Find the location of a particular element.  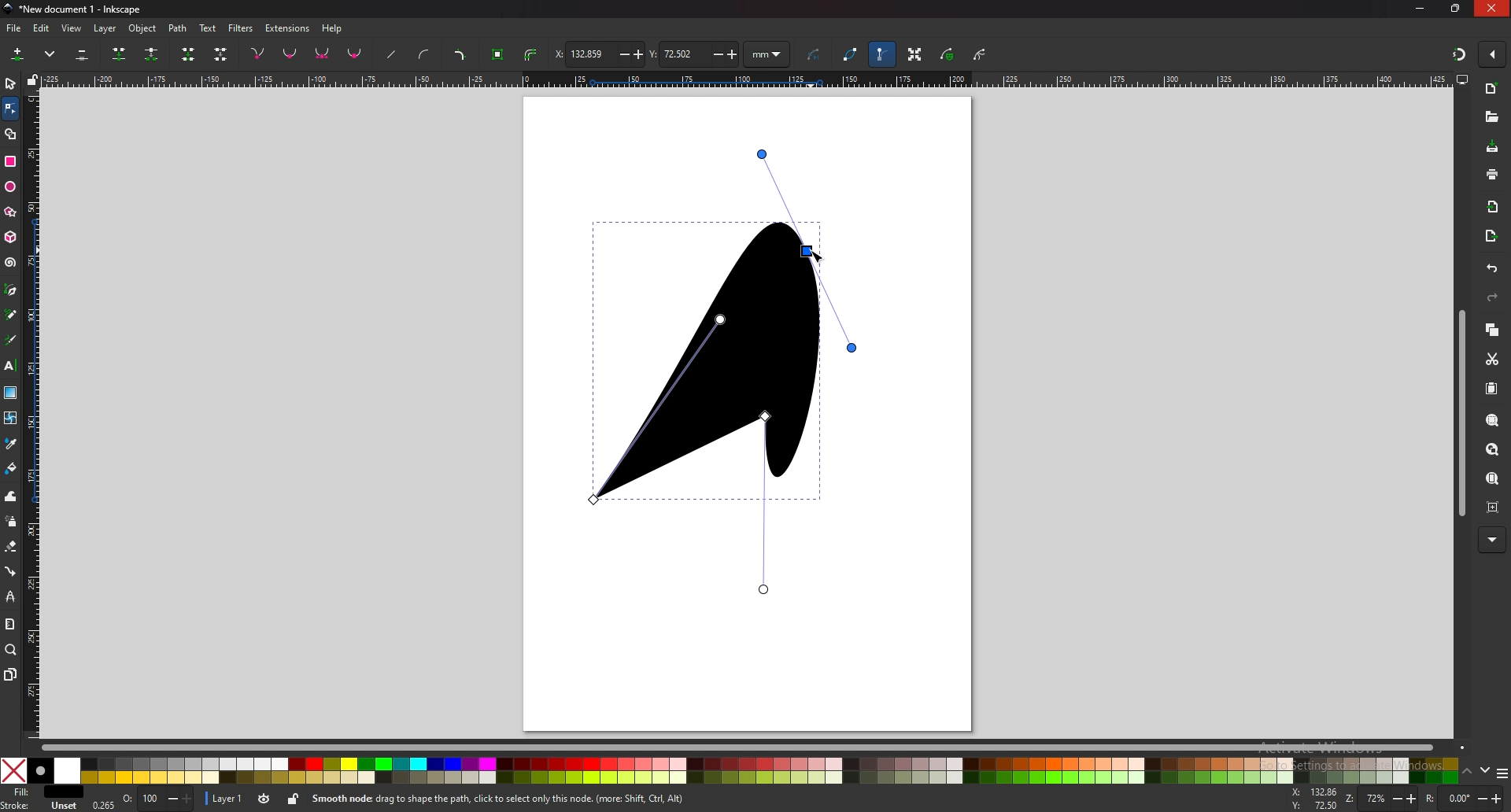

add curve handles is located at coordinates (425, 56).